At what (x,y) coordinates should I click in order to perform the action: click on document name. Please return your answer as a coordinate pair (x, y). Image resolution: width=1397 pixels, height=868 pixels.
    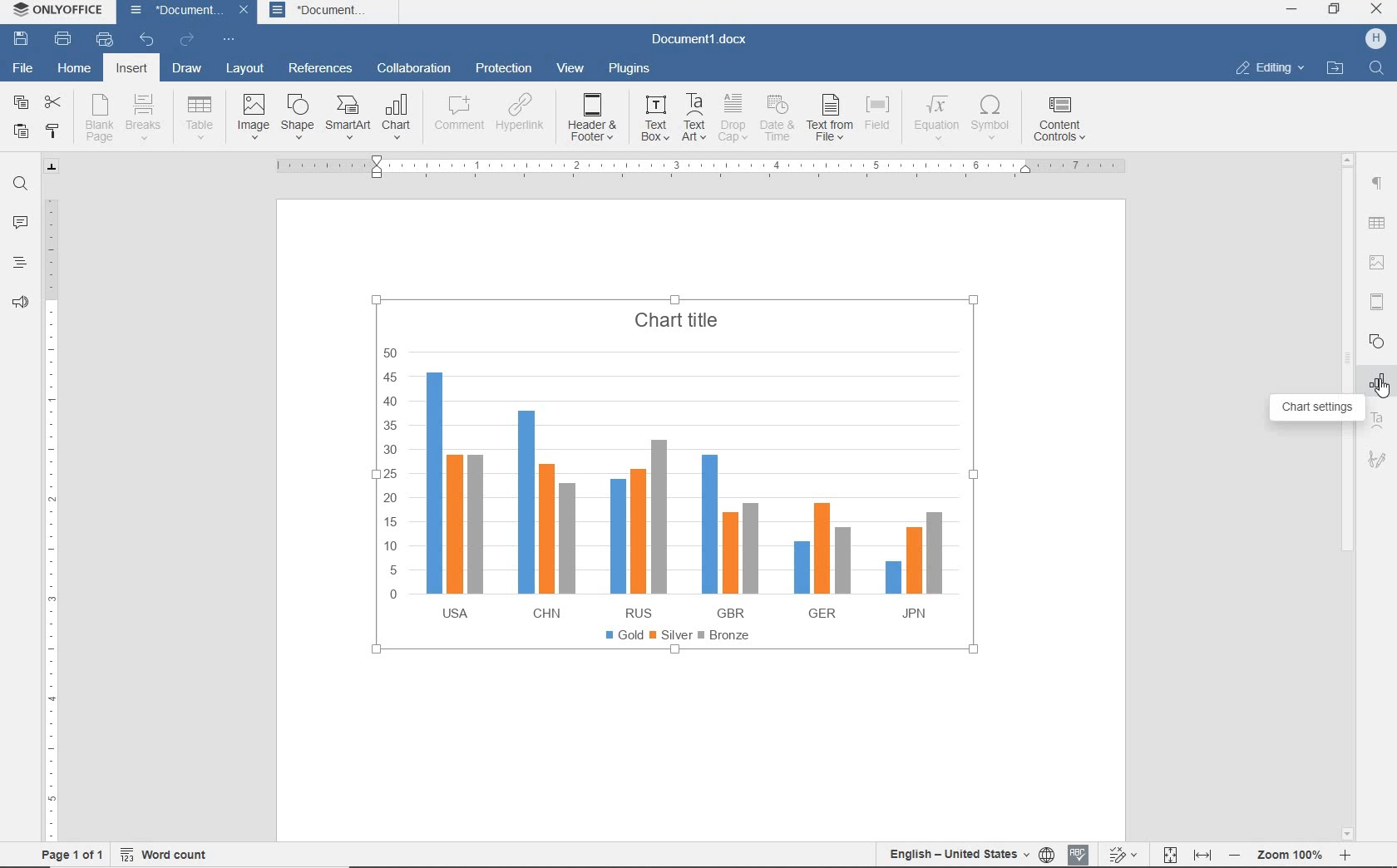
    Looking at the image, I should click on (171, 12).